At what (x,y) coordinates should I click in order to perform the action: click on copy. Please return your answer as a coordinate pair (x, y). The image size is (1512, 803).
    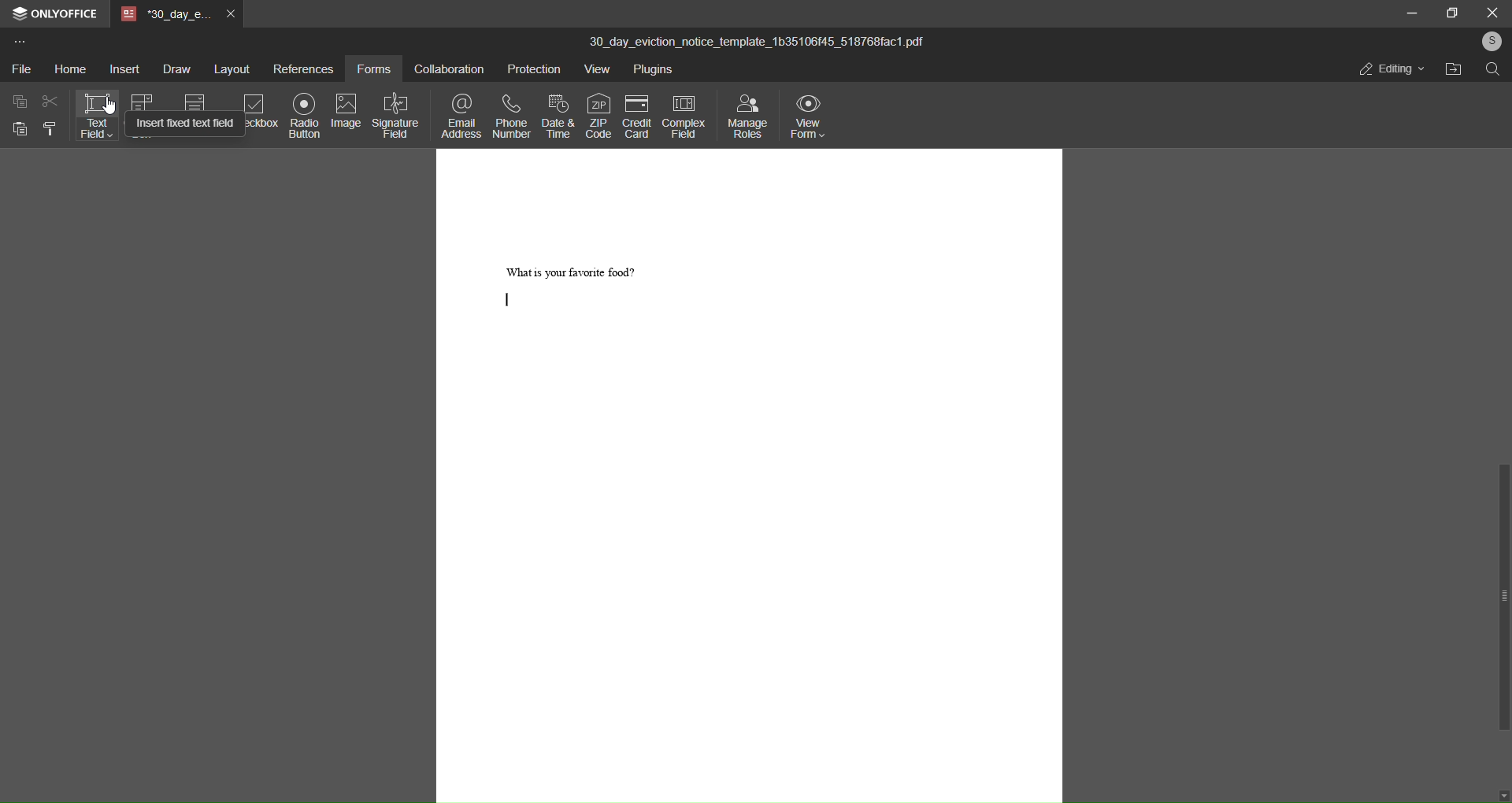
    Looking at the image, I should click on (20, 103).